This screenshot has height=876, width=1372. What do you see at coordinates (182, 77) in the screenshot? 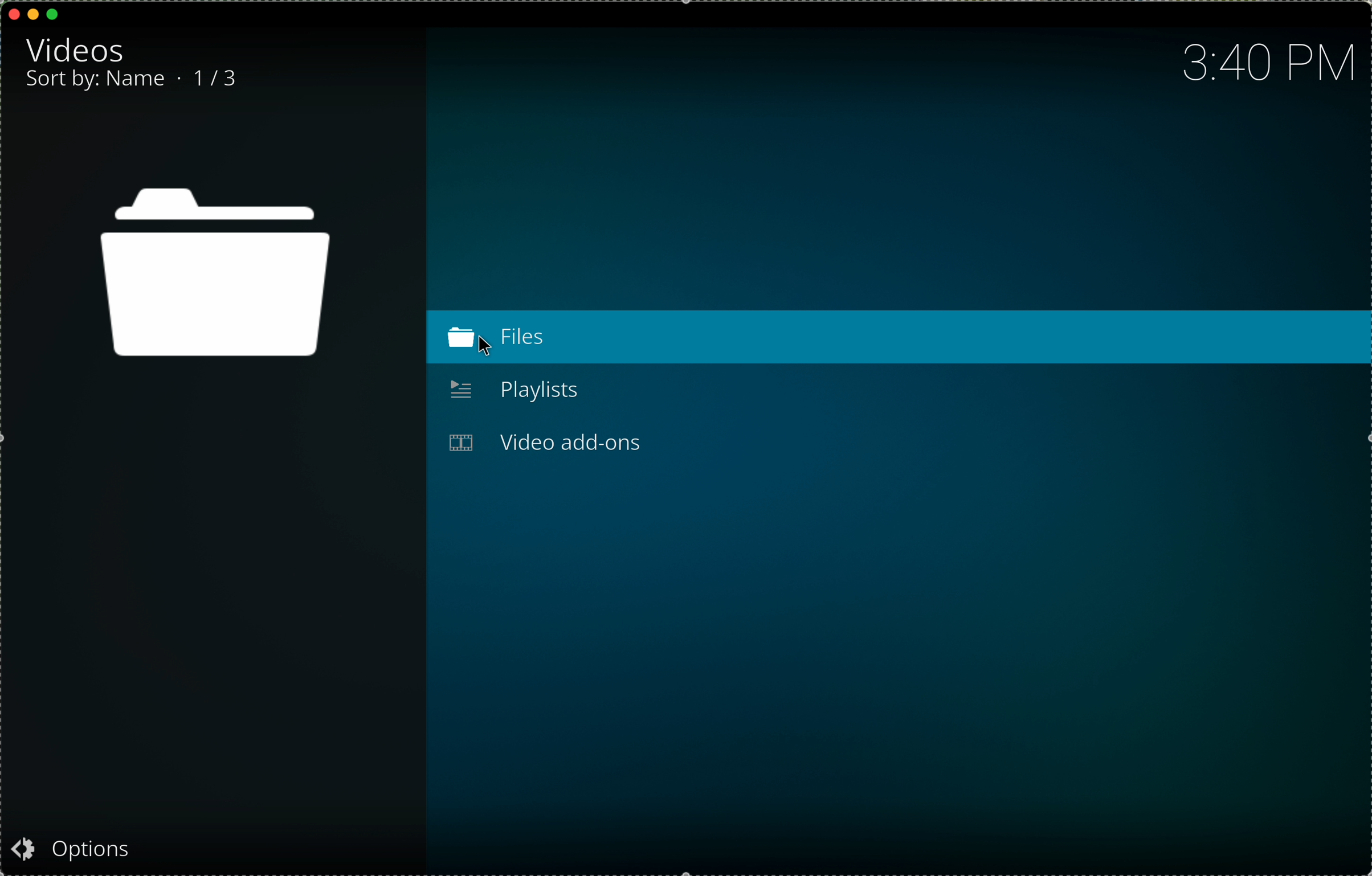
I see `.` at bounding box center [182, 77].